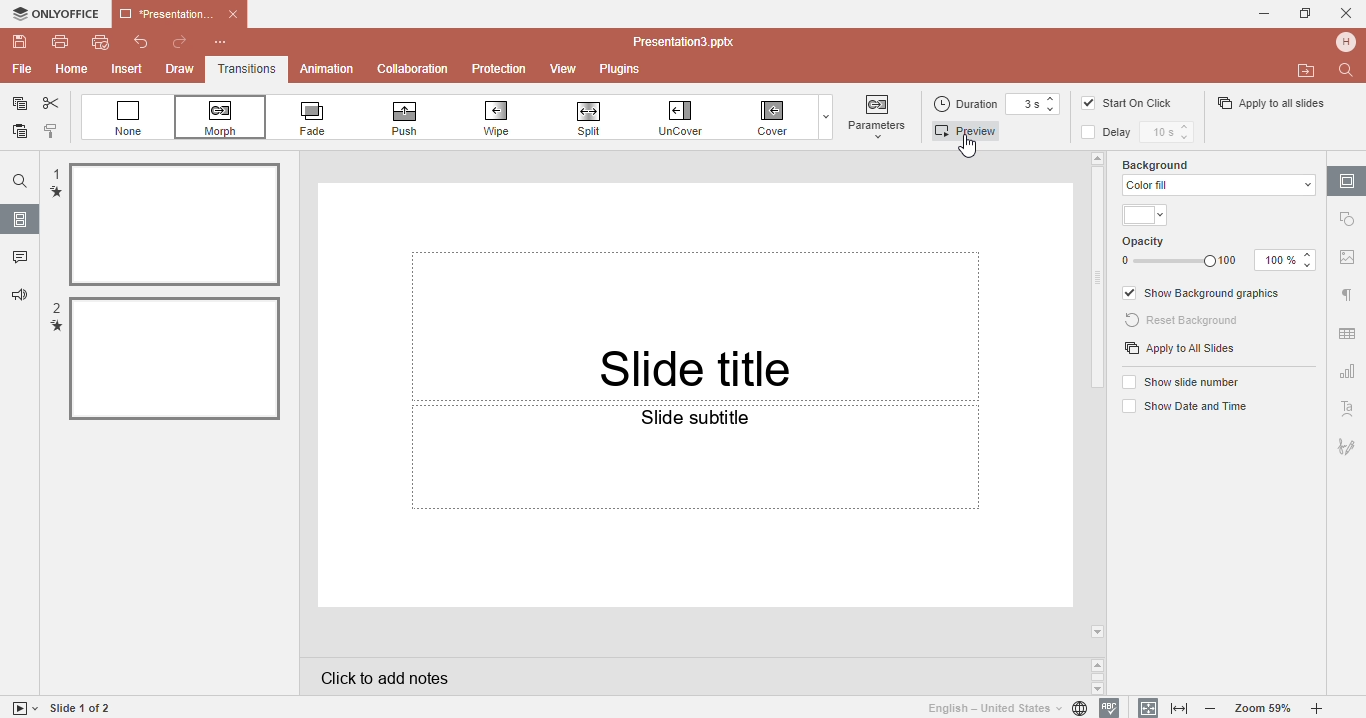 The width and height of the screenshot is (1366, 718). What do you see at coordinates (1346, 443) in the screenshot?
I see `Signature setting` at bounding box center [1346, 443].